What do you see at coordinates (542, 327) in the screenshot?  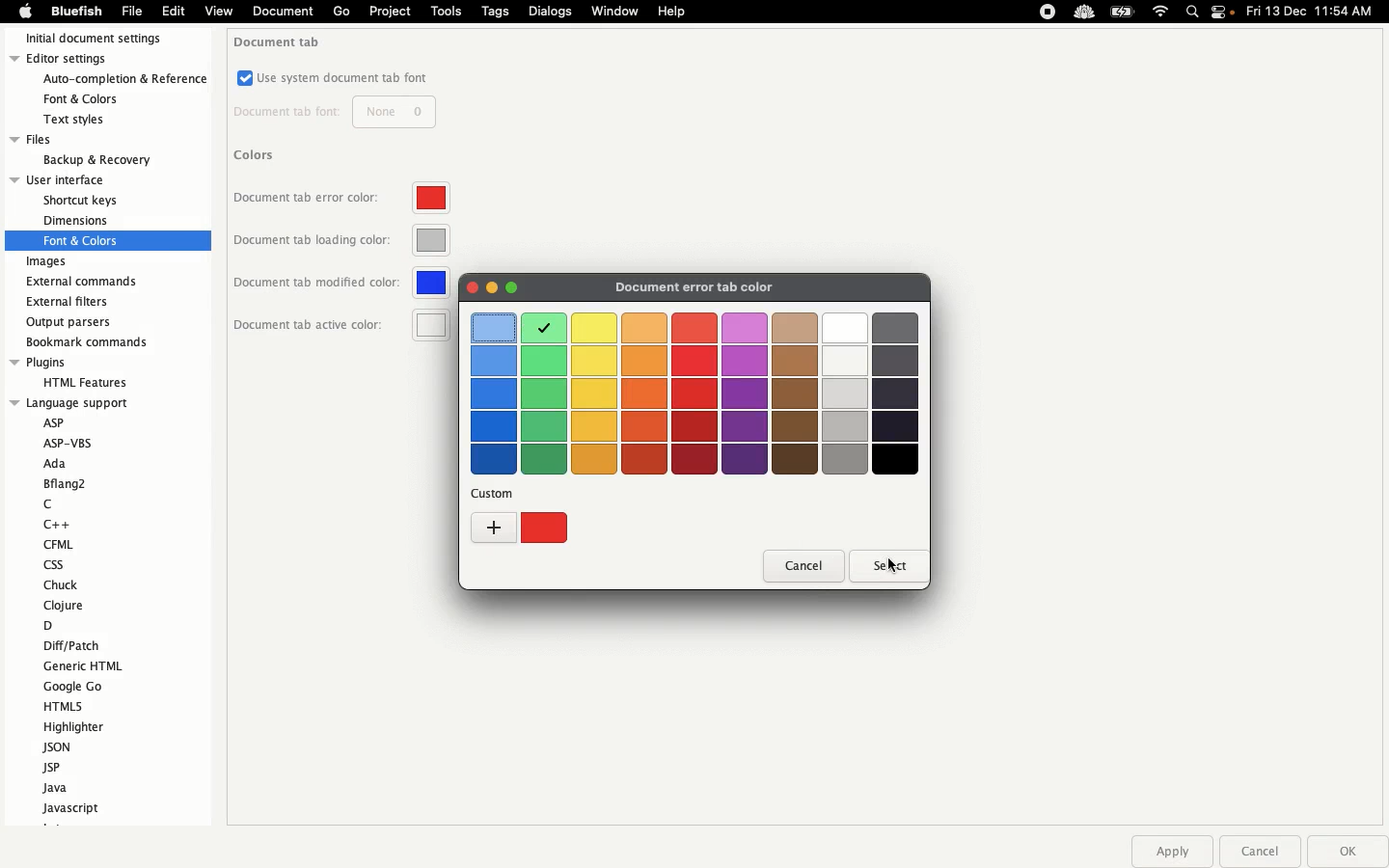 I see `Selected` at bounding box center [542, 327].